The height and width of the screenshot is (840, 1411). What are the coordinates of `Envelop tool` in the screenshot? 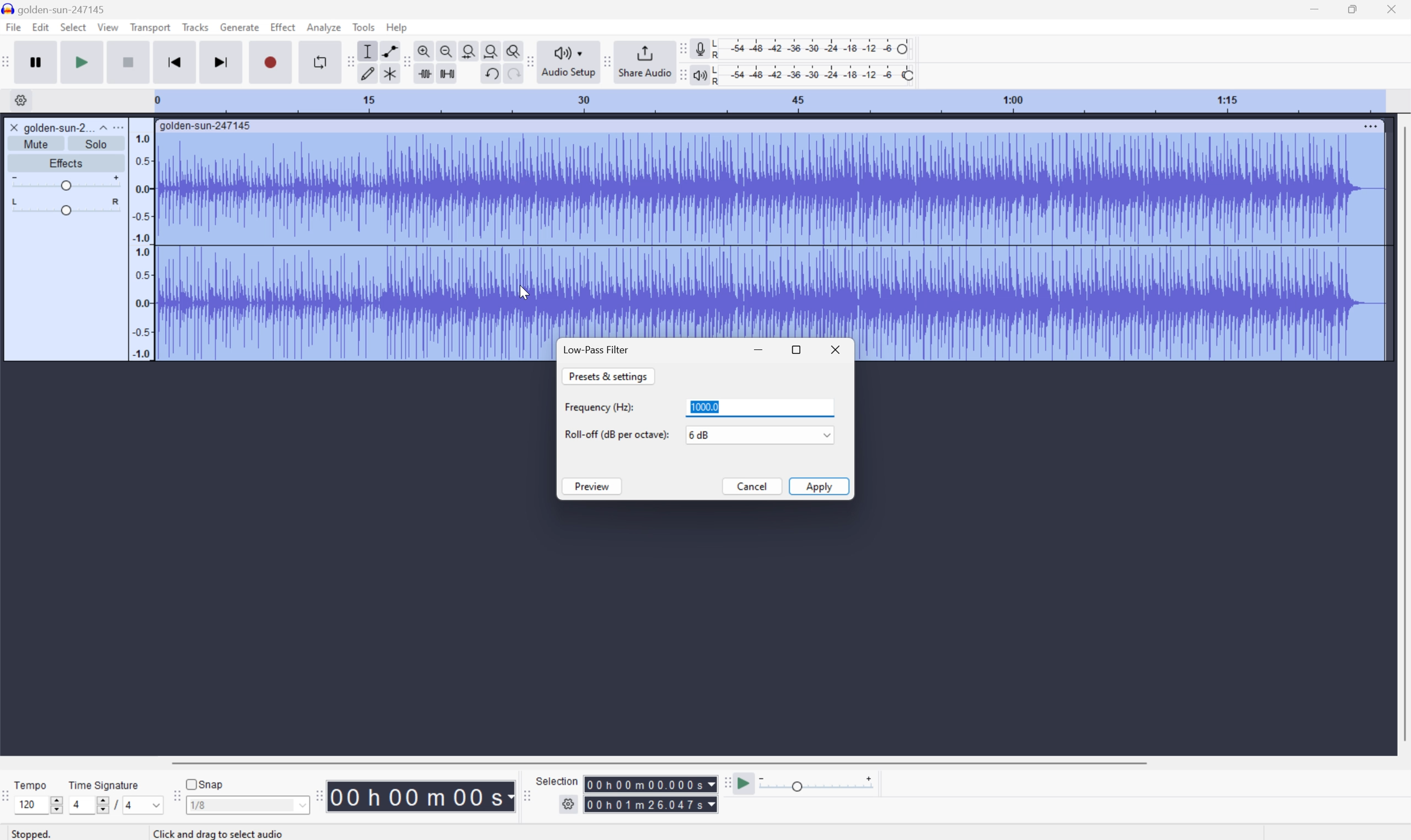 It's located at (387, 50).